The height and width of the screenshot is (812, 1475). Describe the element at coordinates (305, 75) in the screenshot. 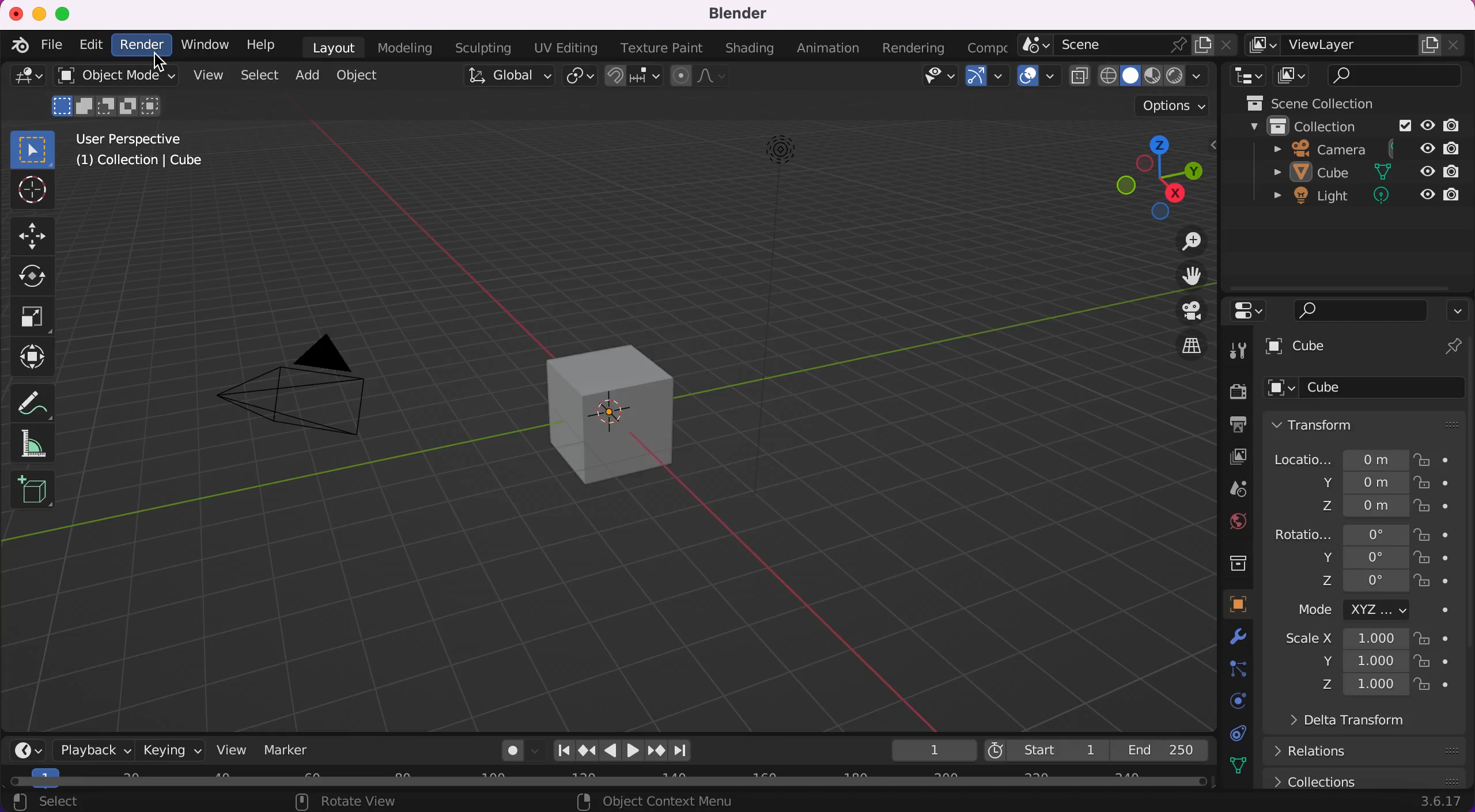

I see `add` at that location.